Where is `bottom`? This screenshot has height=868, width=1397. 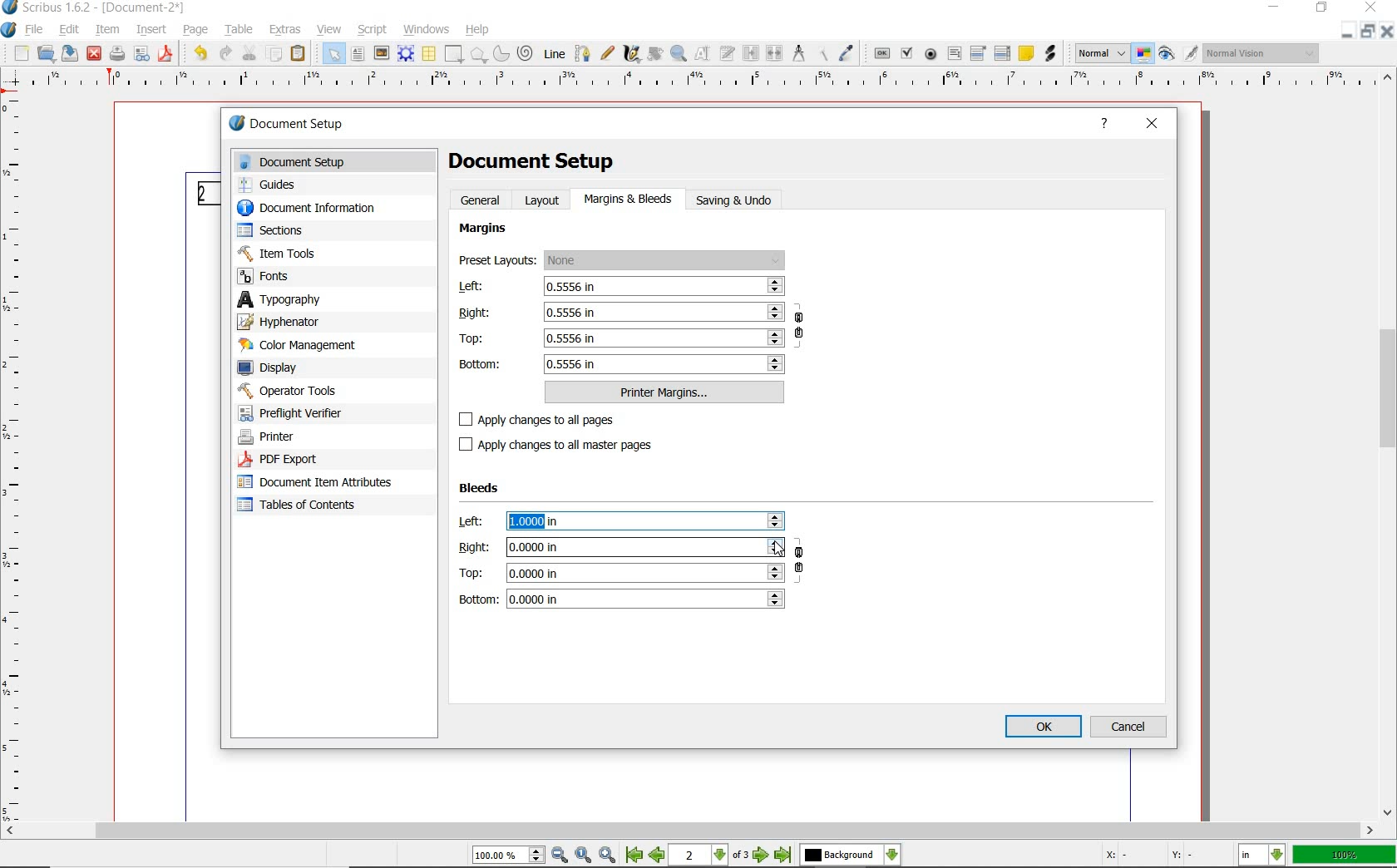
bottom is located at coordinates (623, 364).